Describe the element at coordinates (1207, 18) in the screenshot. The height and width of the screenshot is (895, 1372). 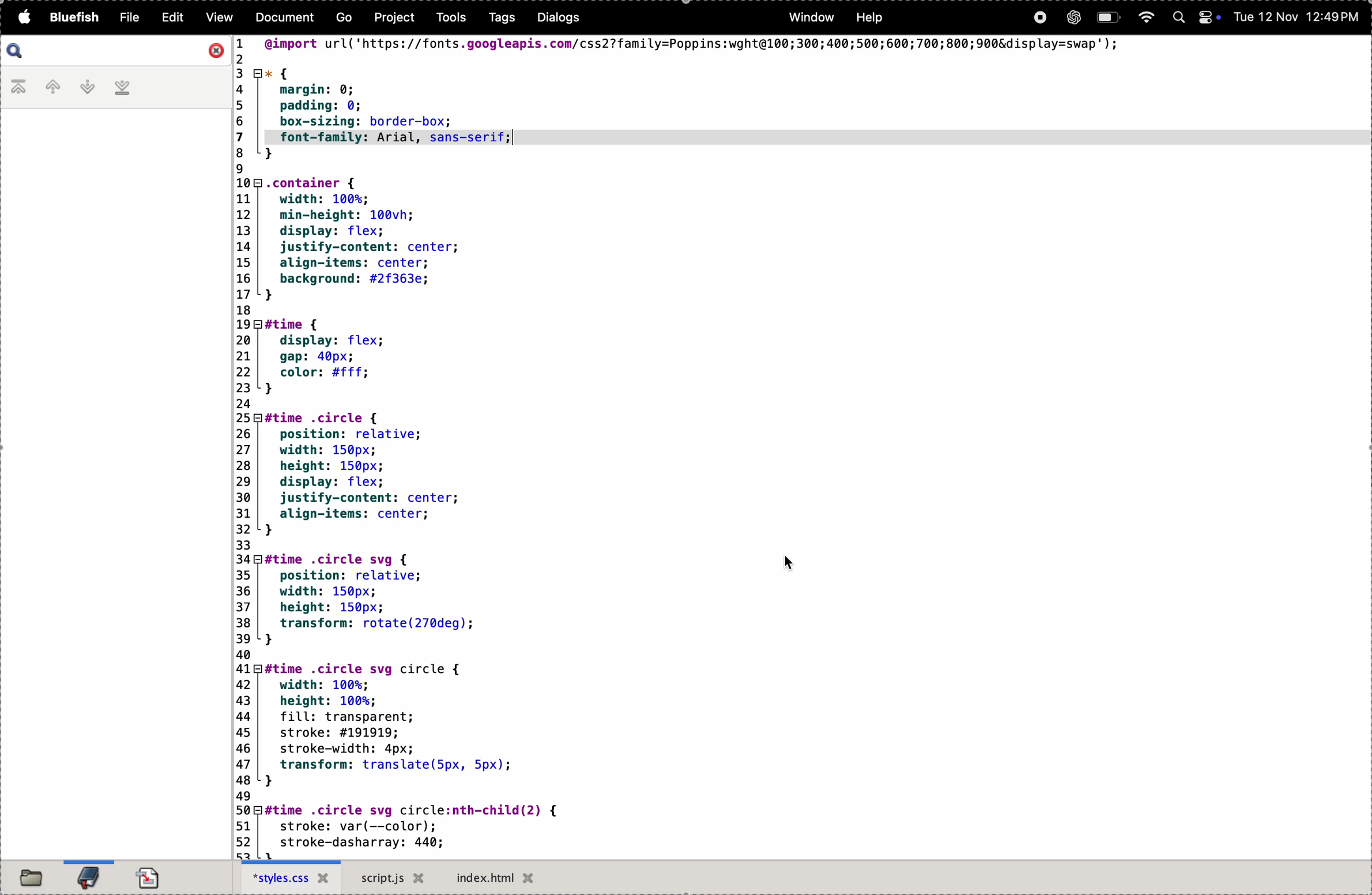
I see `Control centre` at that location.